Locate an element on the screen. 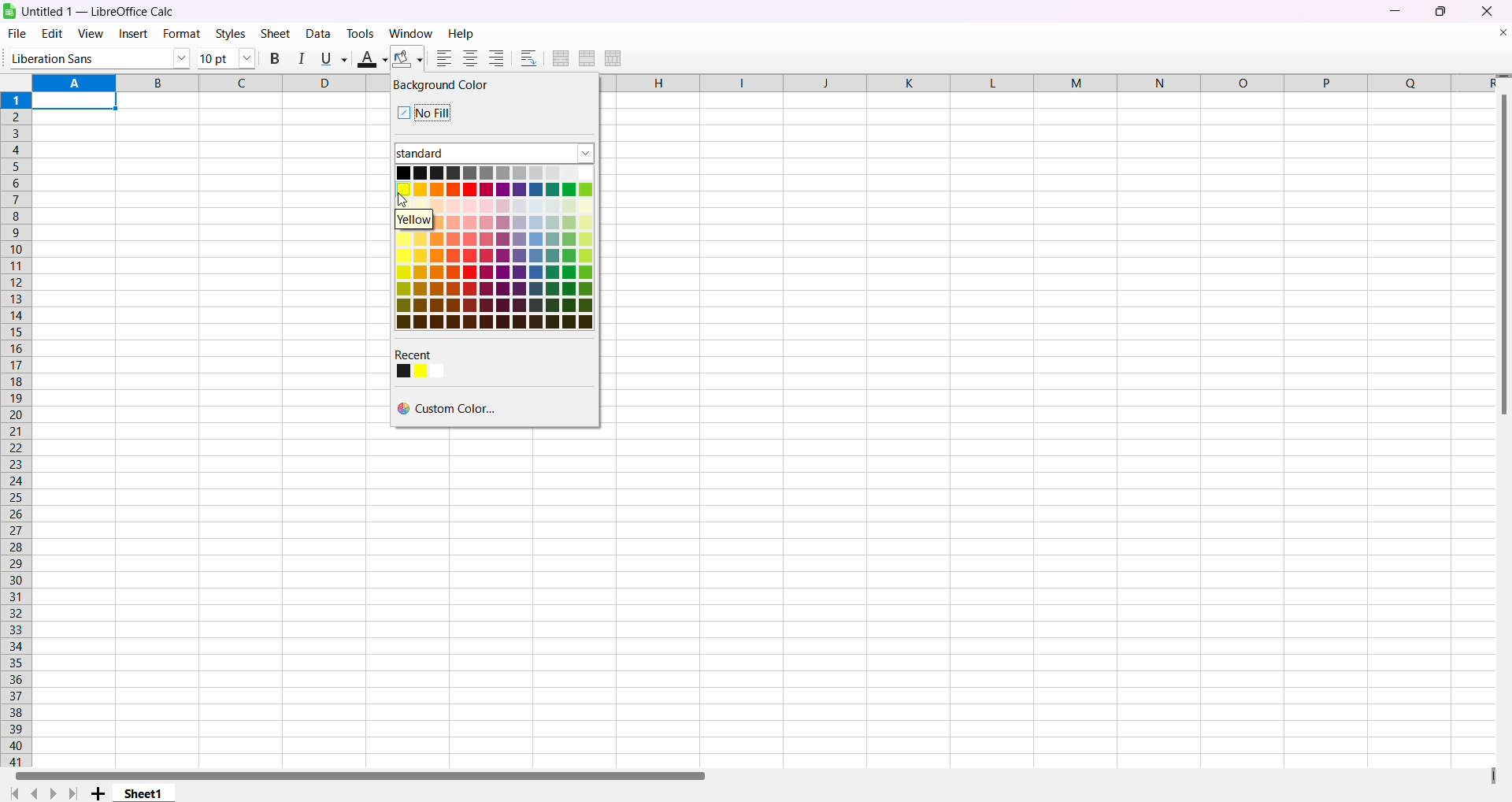 This screenshot has width=1512, height=802. next is located at coordinates (57, 793).